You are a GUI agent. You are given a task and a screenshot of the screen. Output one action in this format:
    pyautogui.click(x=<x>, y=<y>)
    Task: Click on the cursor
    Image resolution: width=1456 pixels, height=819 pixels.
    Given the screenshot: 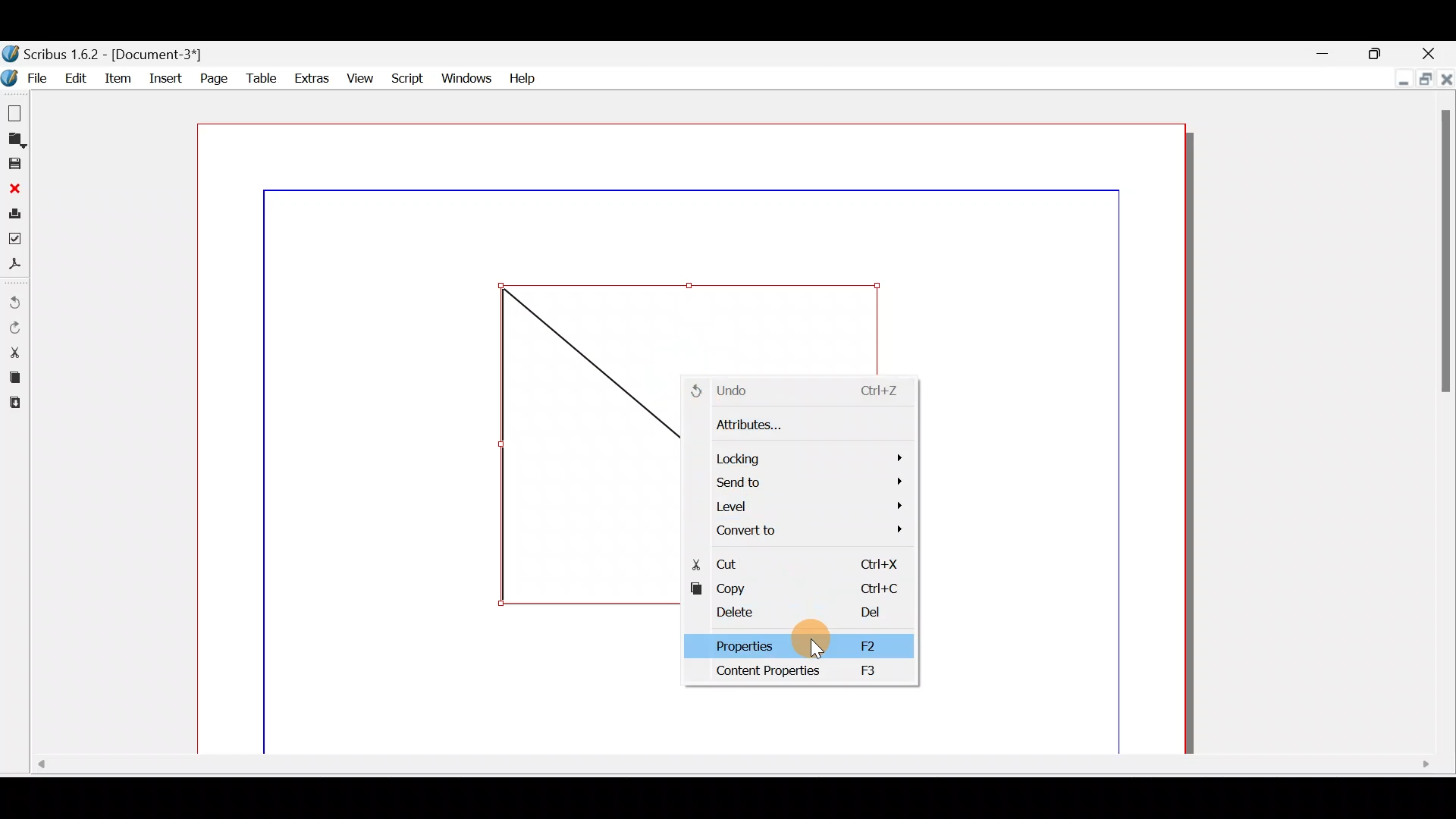 What is the action you would take?
    pyautogui.click(x=814, y=650)
    